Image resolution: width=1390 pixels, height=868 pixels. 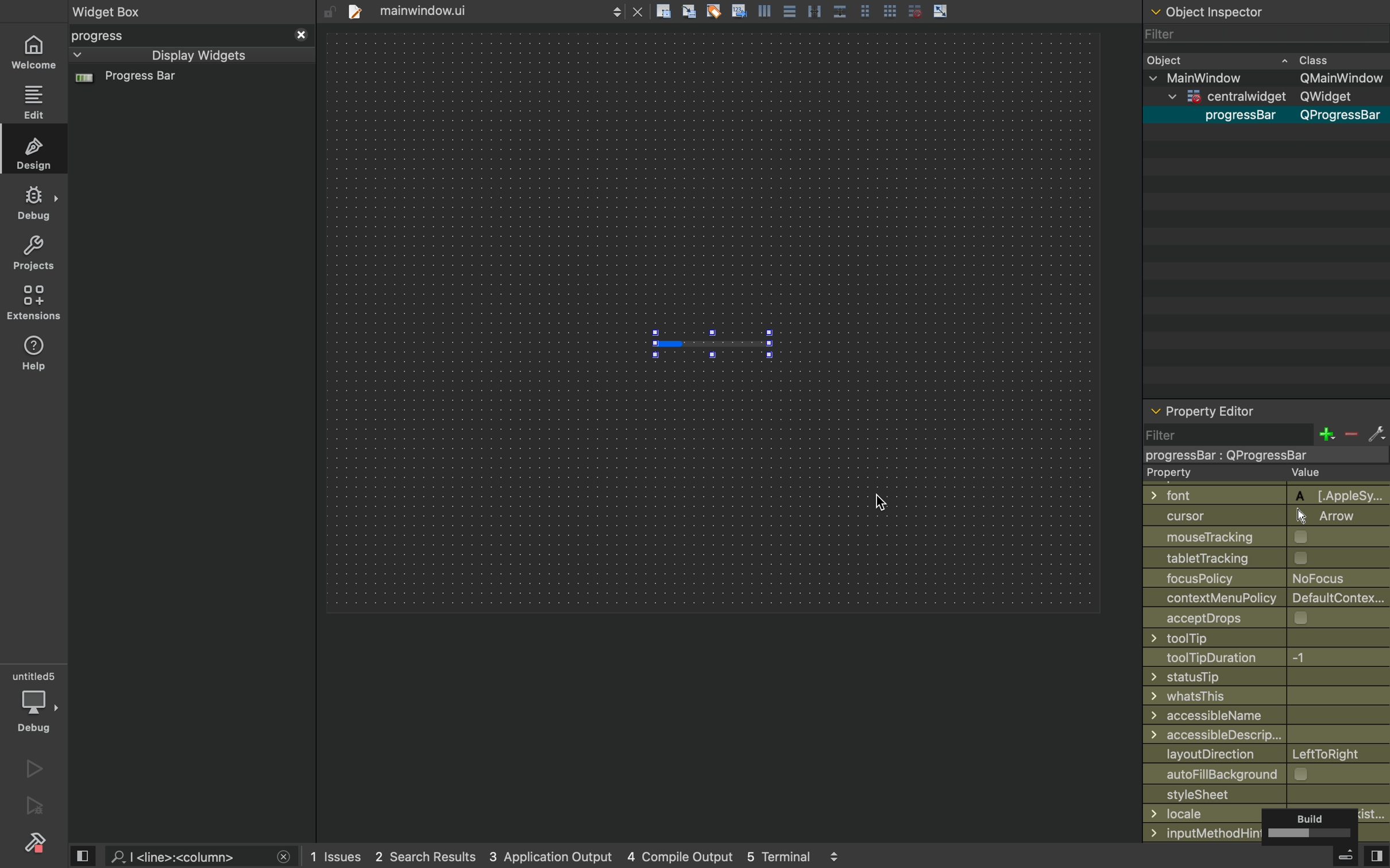 I want to click on cursor, so click(x=1260, y=516).